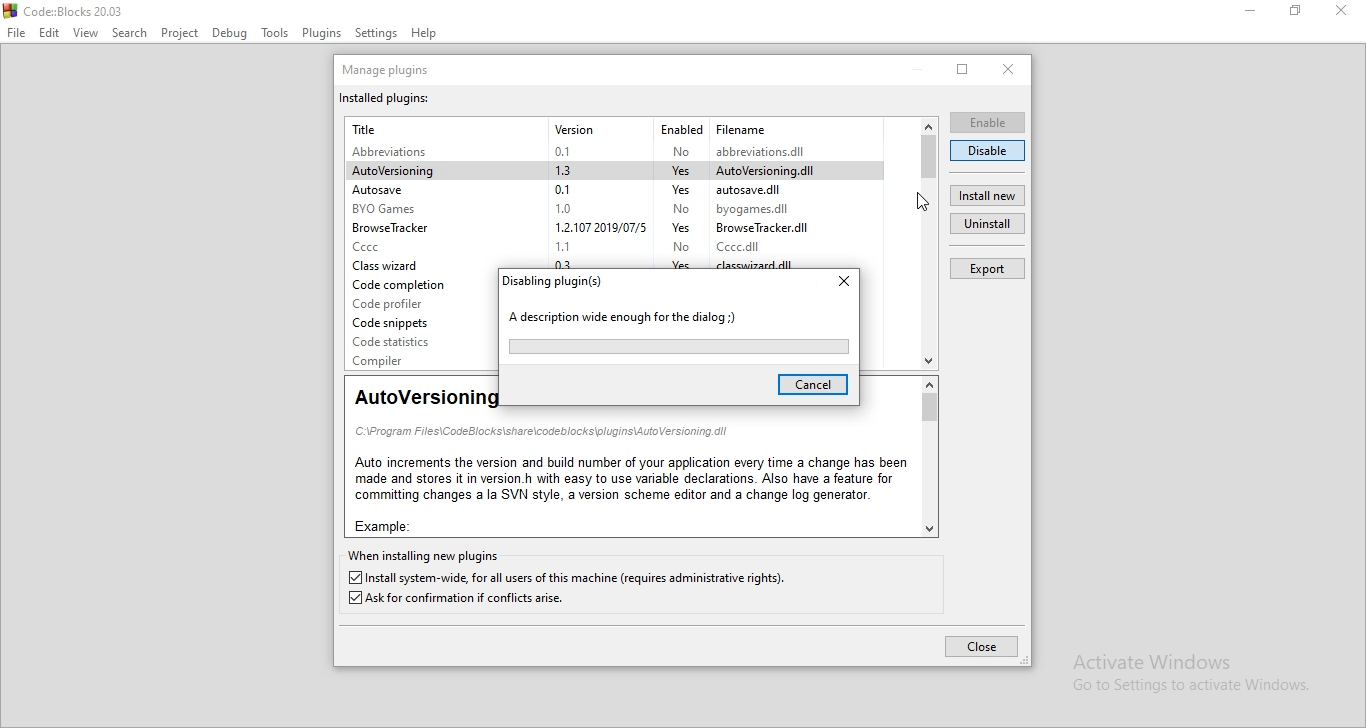 This screenshot has height=728, width=1366. Describe the element at coordinates (842, 282) in the screenshot. I see `close` at that location.